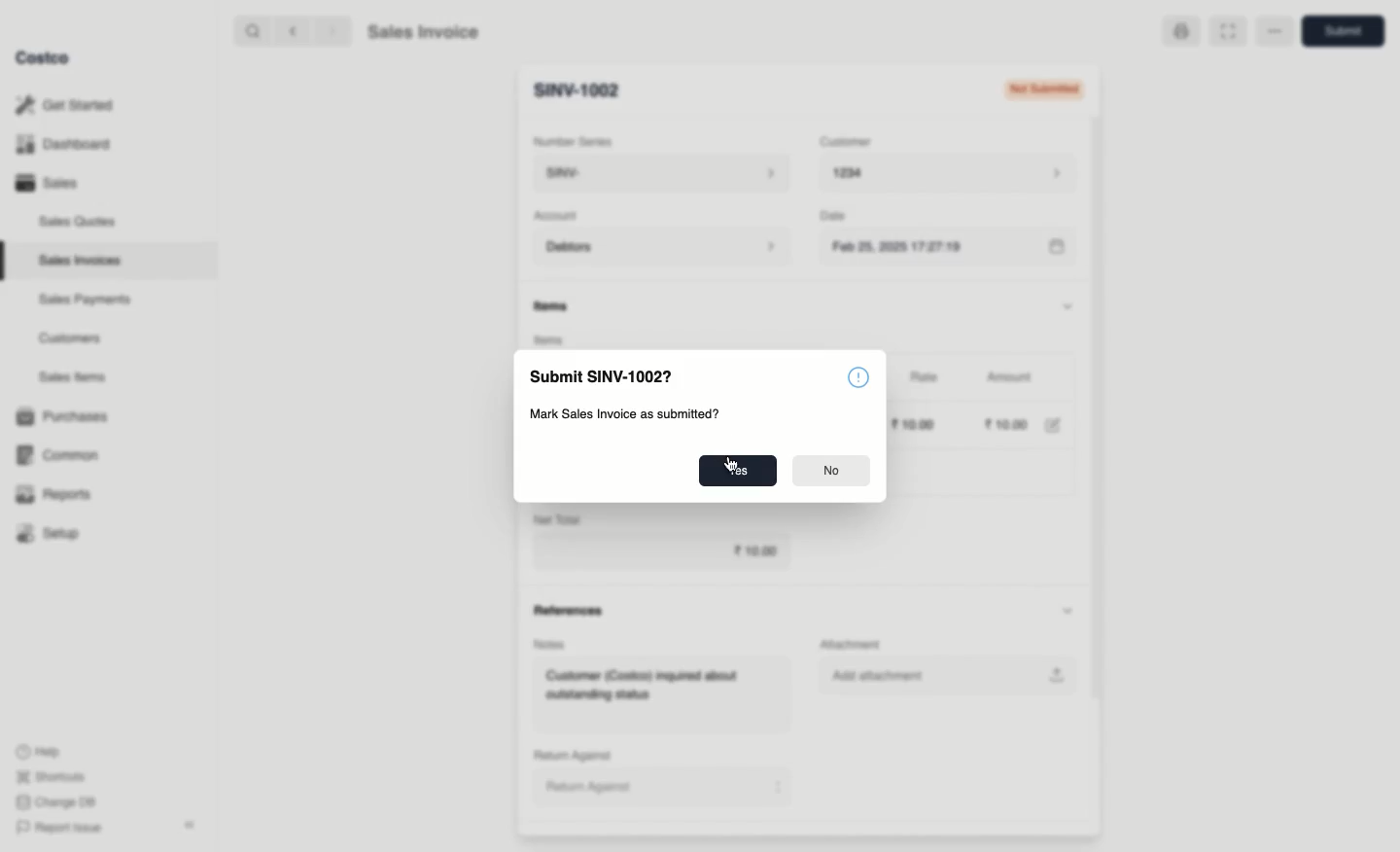  What do you see at coordinates (556, 304) in the screenshot?
I see `` at bounding box center [556, 304].